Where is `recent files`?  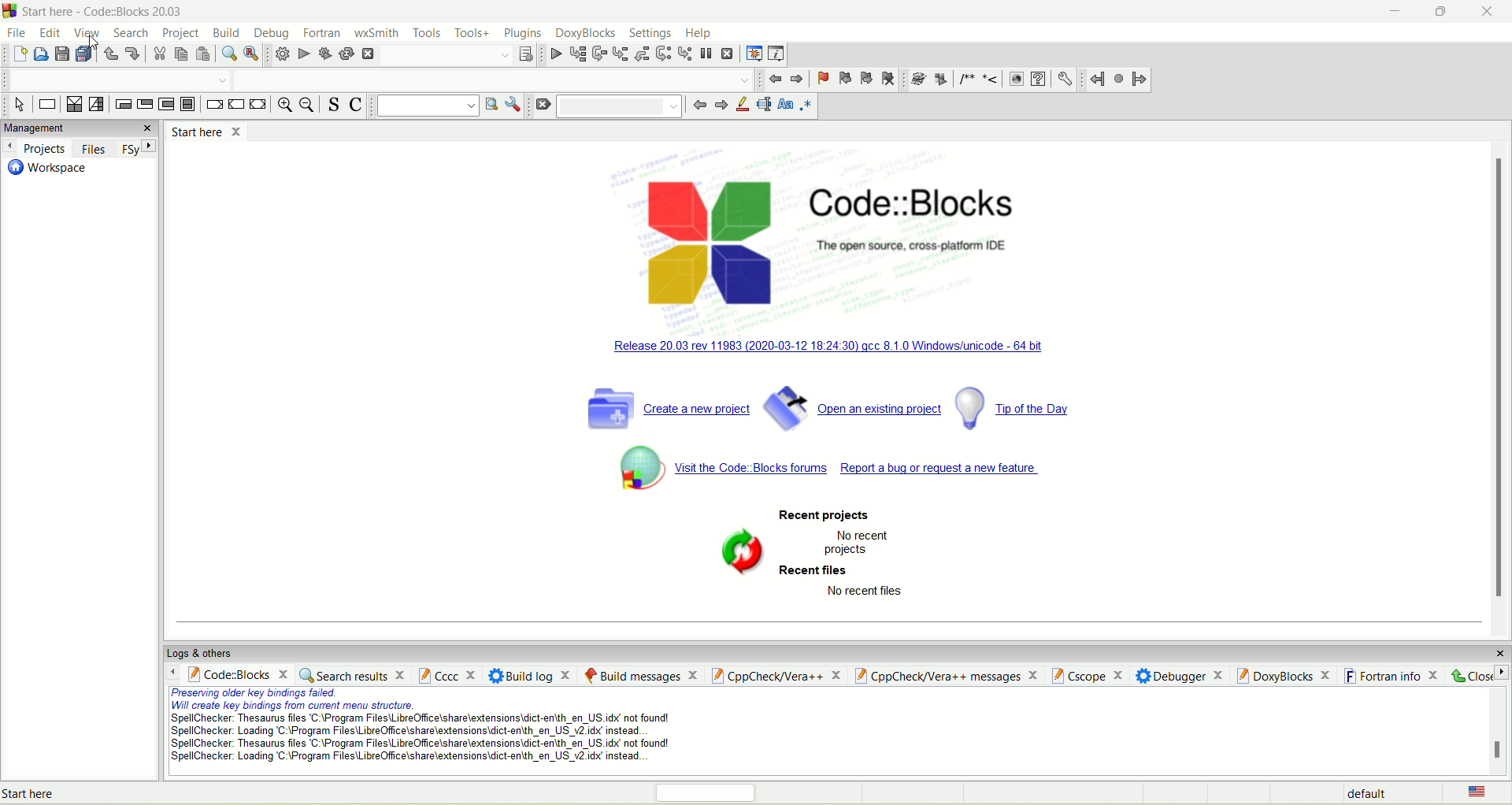 recent files is located at coordinates (817, 570).